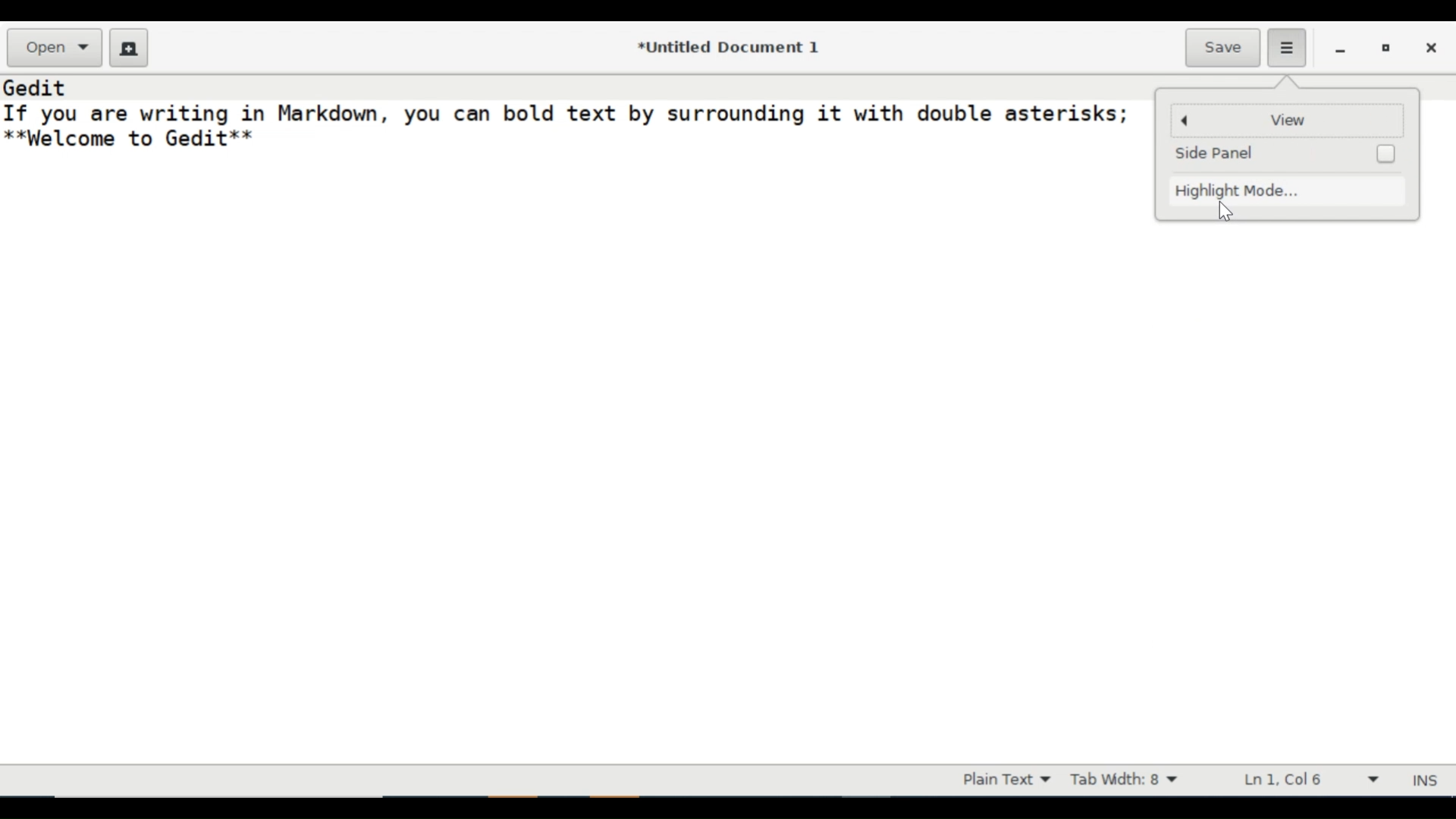 This screenshot has width=1456, height=819. Describe the element at coordinates (1255, 154) in the screenshot. I see `Side Panel` at that location.